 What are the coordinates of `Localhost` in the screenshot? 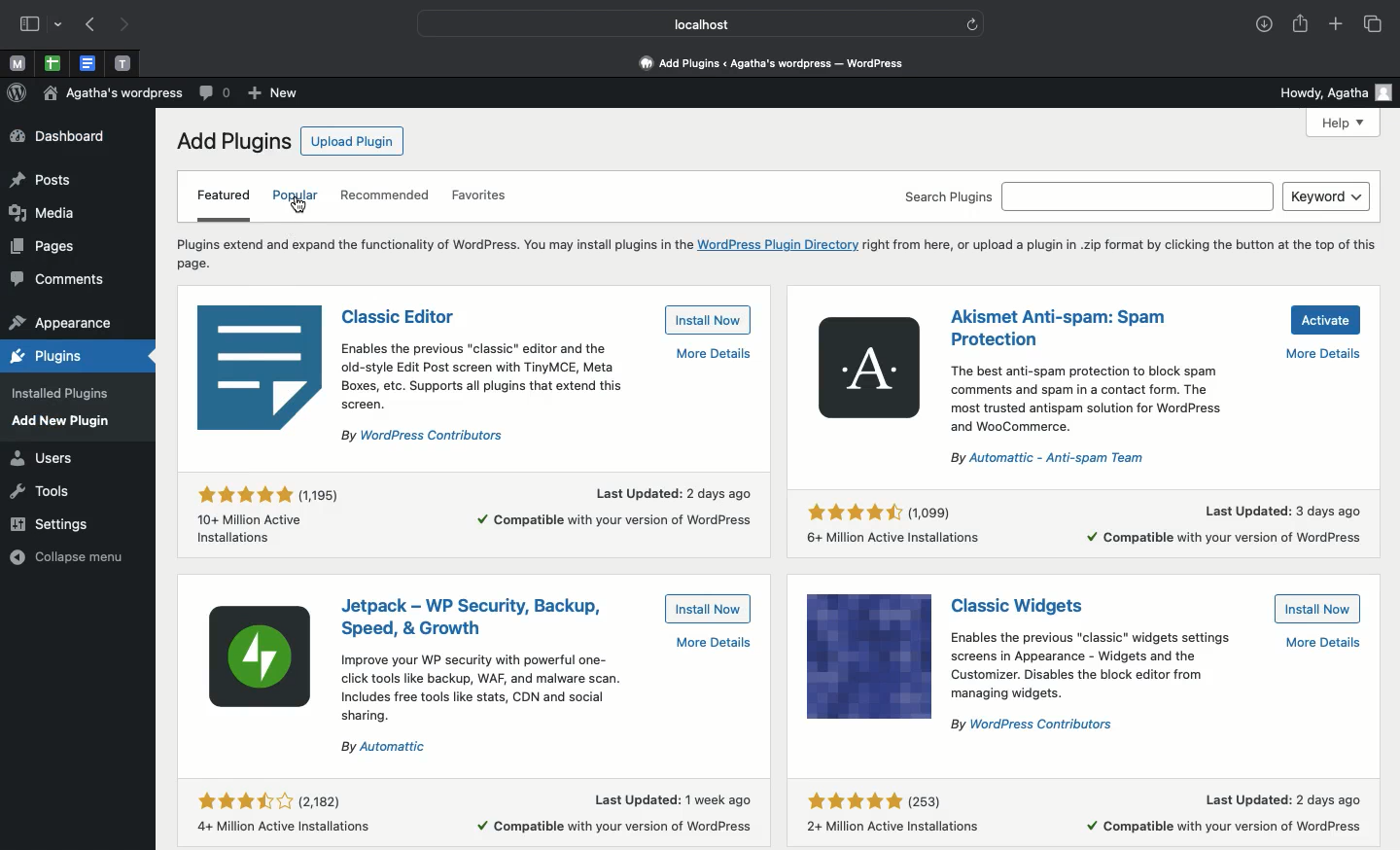 It's located at (685, 23).